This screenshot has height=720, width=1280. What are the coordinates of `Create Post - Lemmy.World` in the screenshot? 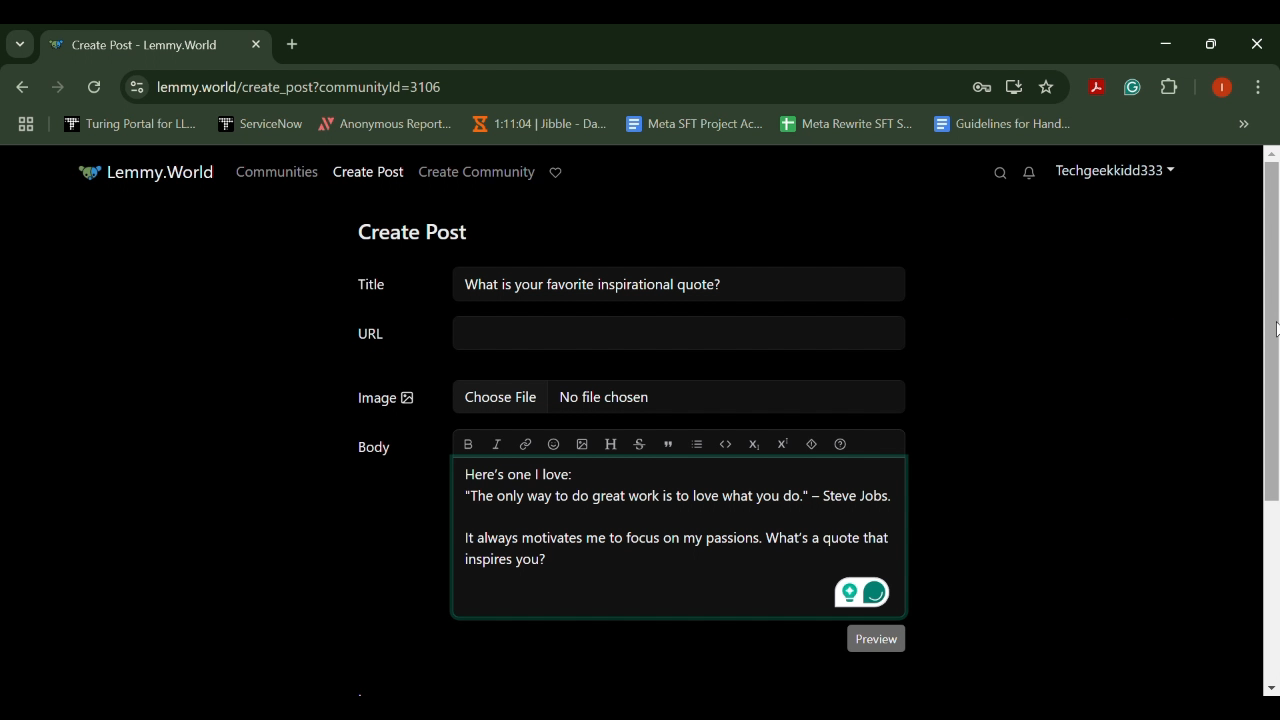 It's located at (138, 46).